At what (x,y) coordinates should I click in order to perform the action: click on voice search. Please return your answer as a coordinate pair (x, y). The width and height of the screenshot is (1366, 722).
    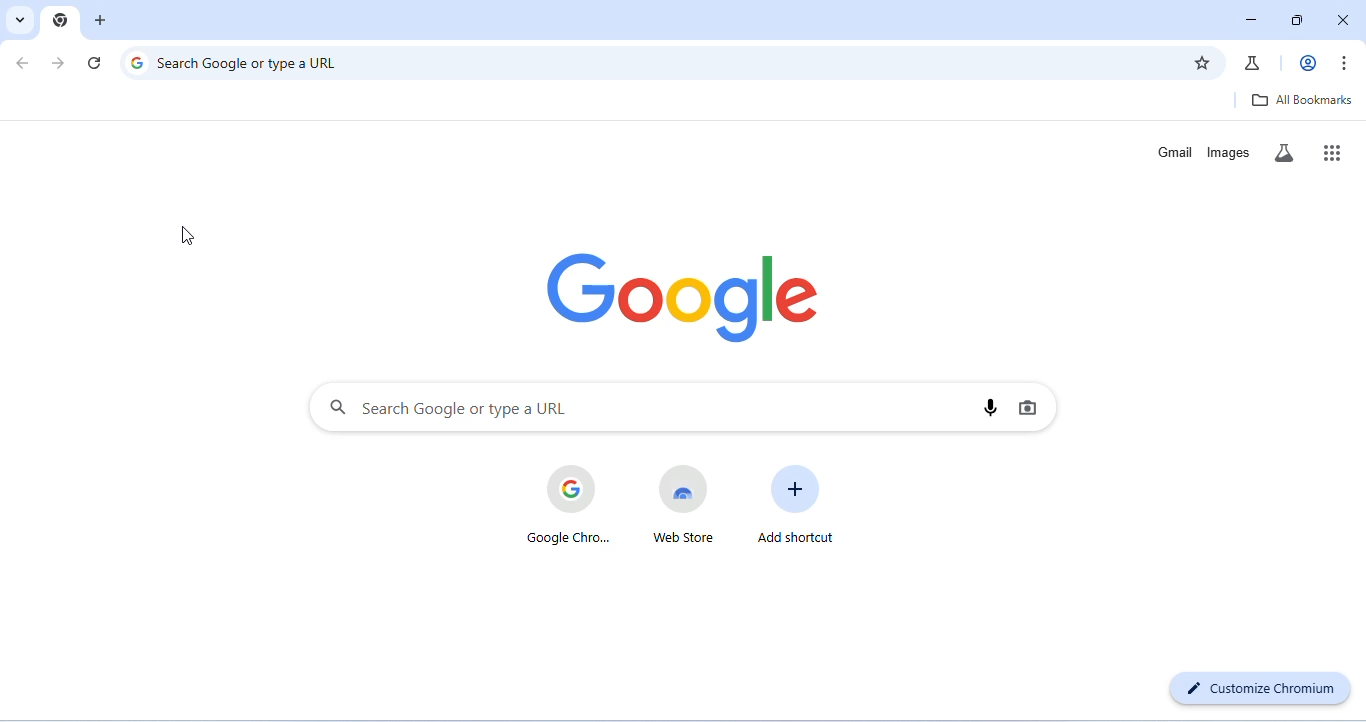
    Looking at the image, I should click on (992, 406).